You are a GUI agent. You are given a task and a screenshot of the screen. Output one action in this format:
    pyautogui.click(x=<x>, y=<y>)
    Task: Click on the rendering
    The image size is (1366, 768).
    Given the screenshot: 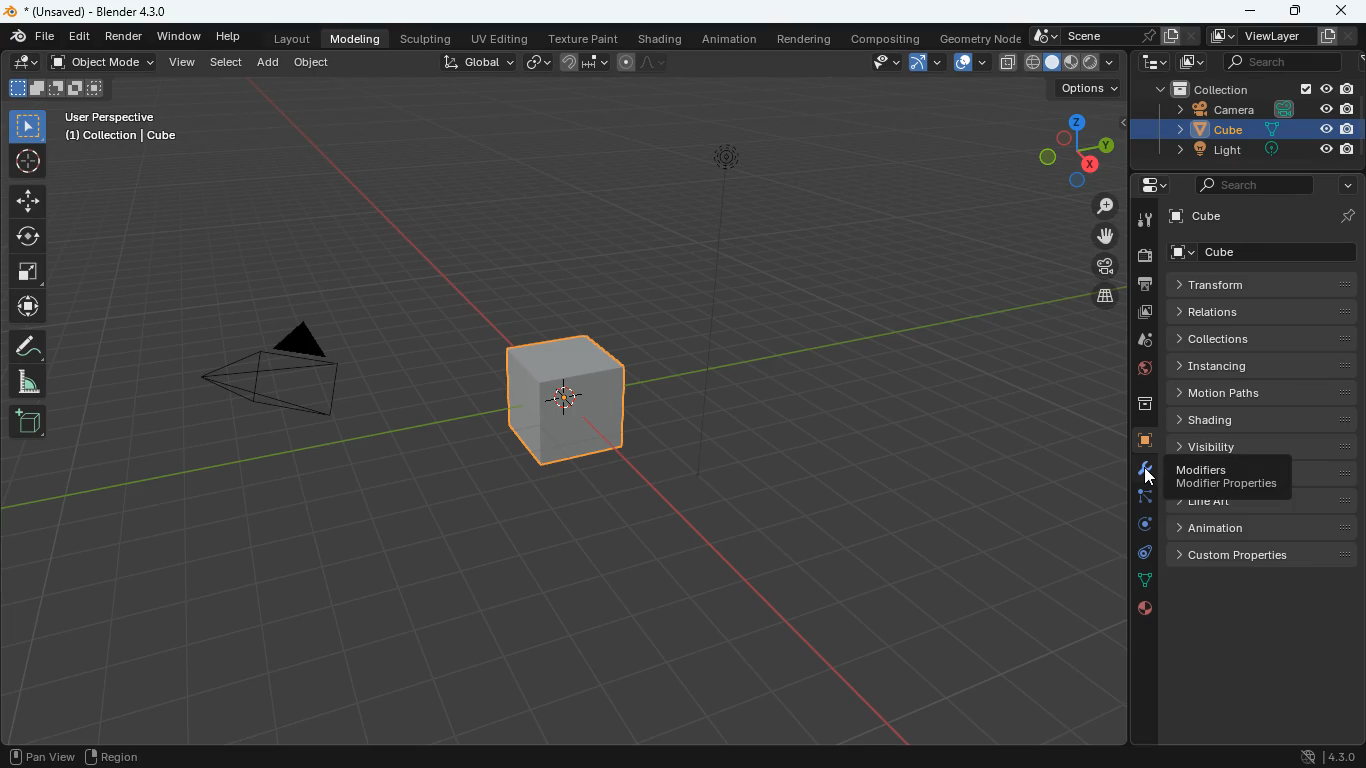 What is the action you would take?
    pyautogui.click(x=804, y=38)
    